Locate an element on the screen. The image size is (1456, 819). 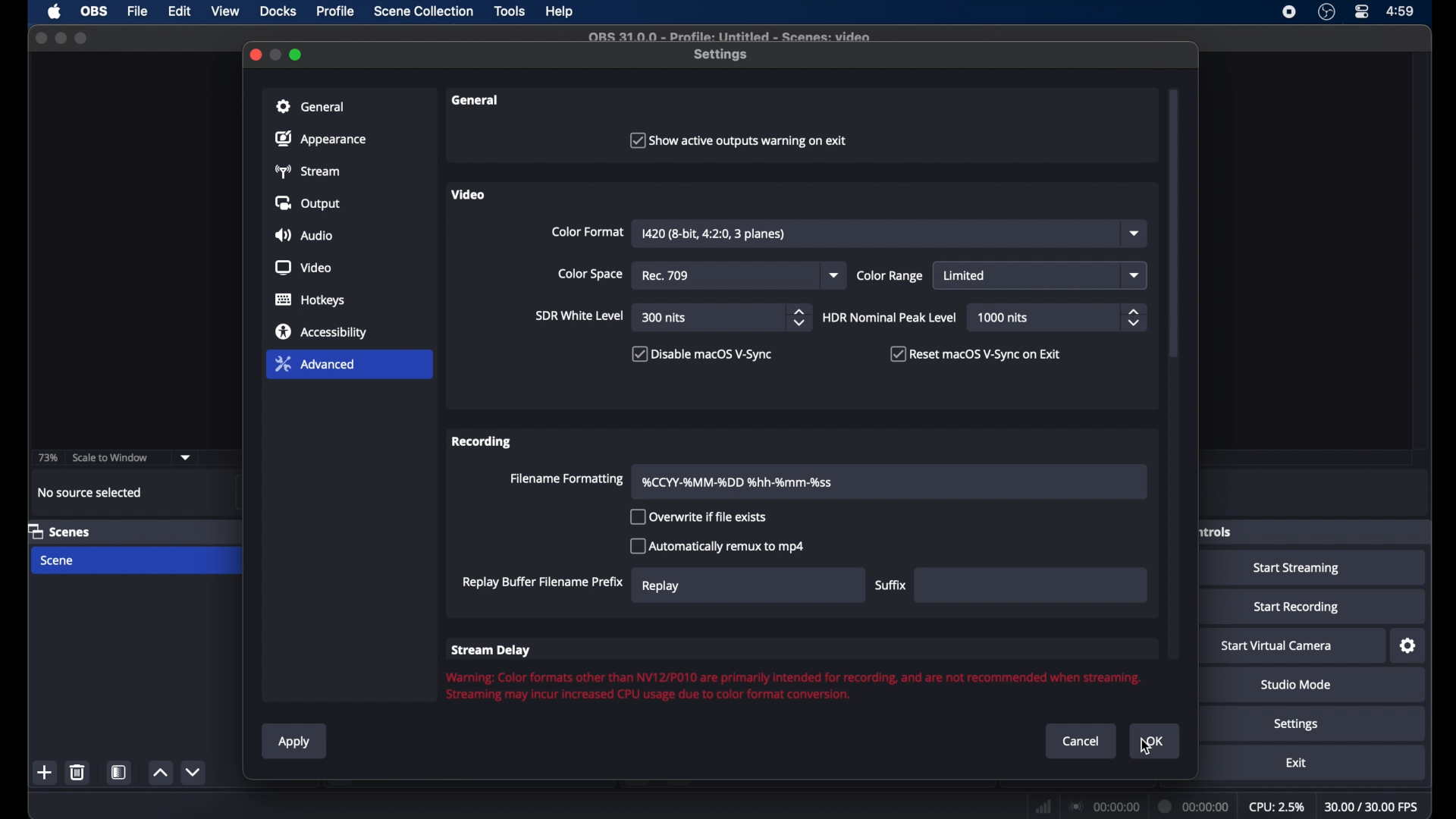
add is located at coordinates (45, 772).